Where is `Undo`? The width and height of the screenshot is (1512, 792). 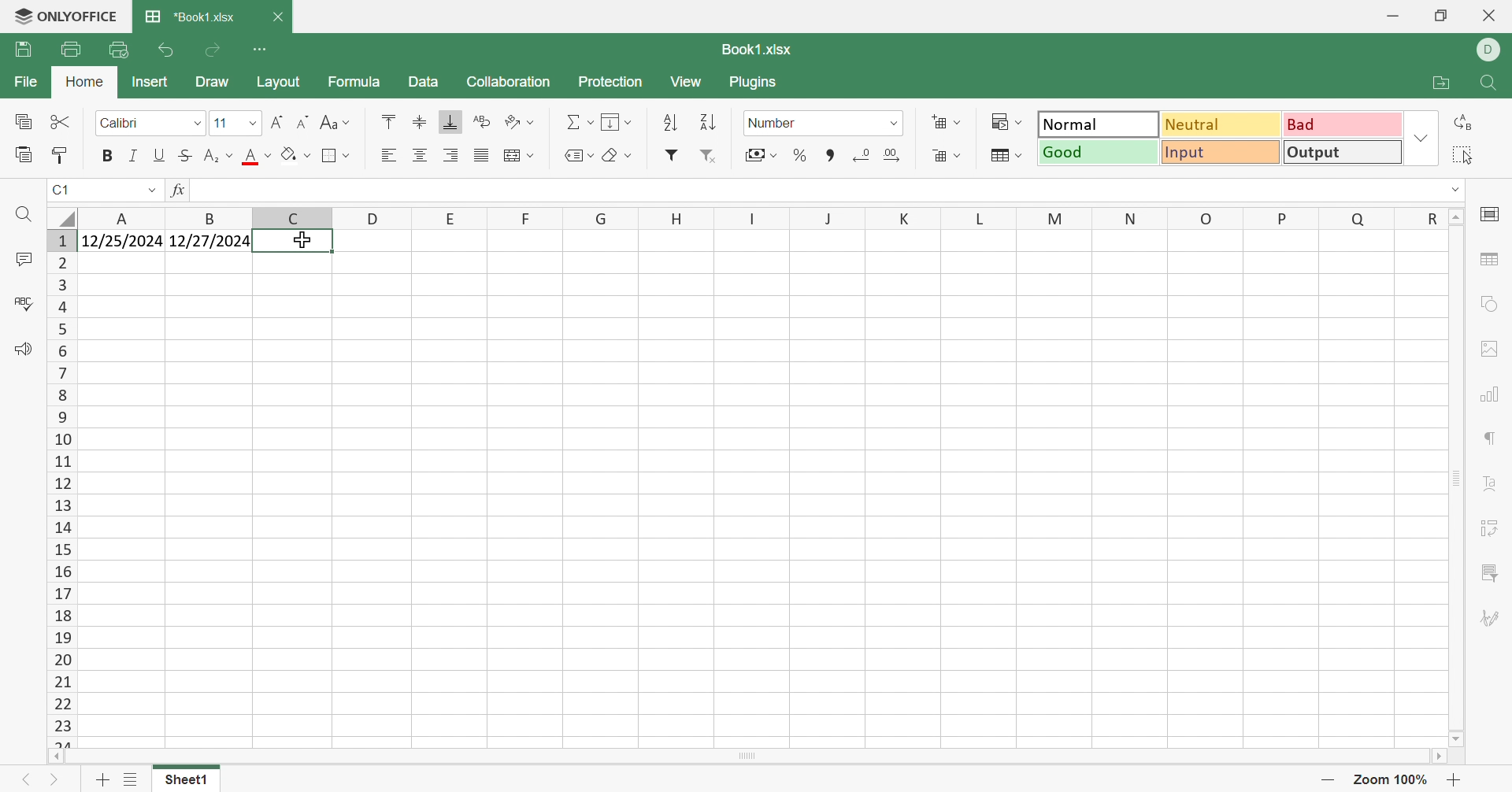
Undo is located at coordinates (162, 52).